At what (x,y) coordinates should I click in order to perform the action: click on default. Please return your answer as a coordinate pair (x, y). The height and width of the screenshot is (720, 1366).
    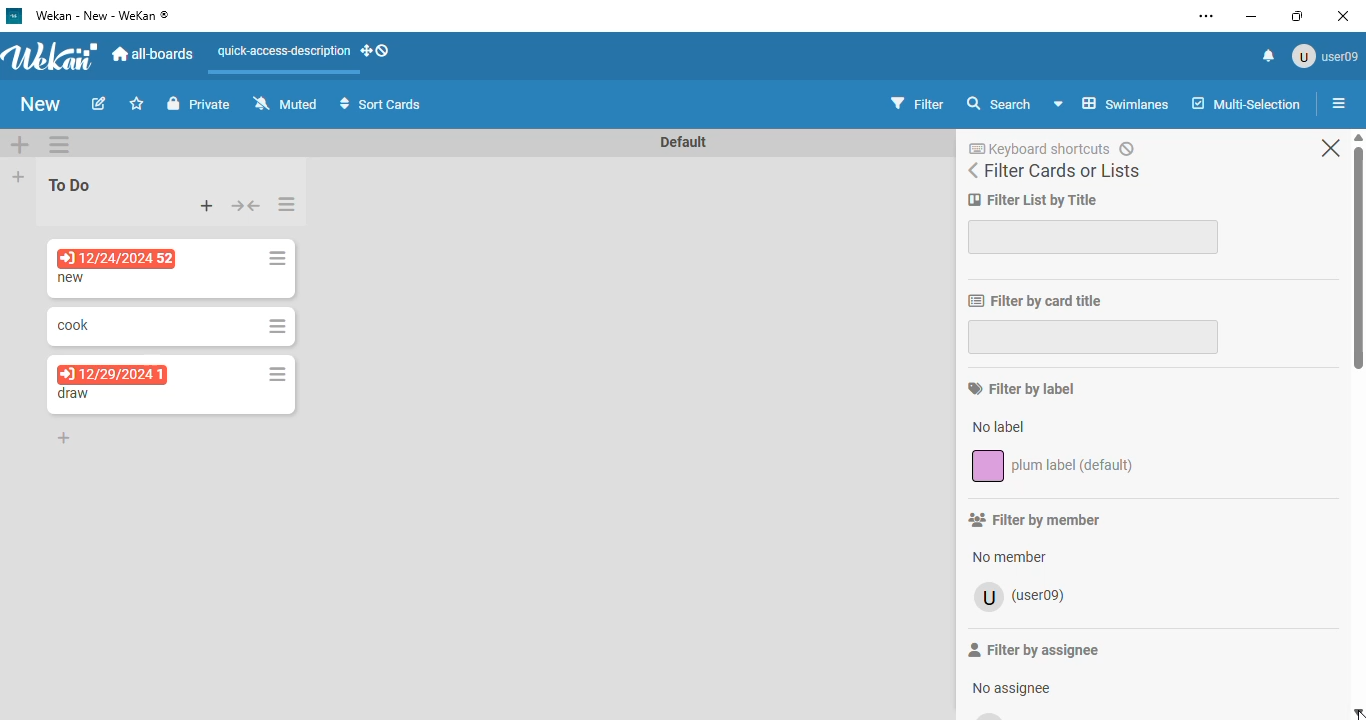
    Looking at the image, I should click on (684, 141).